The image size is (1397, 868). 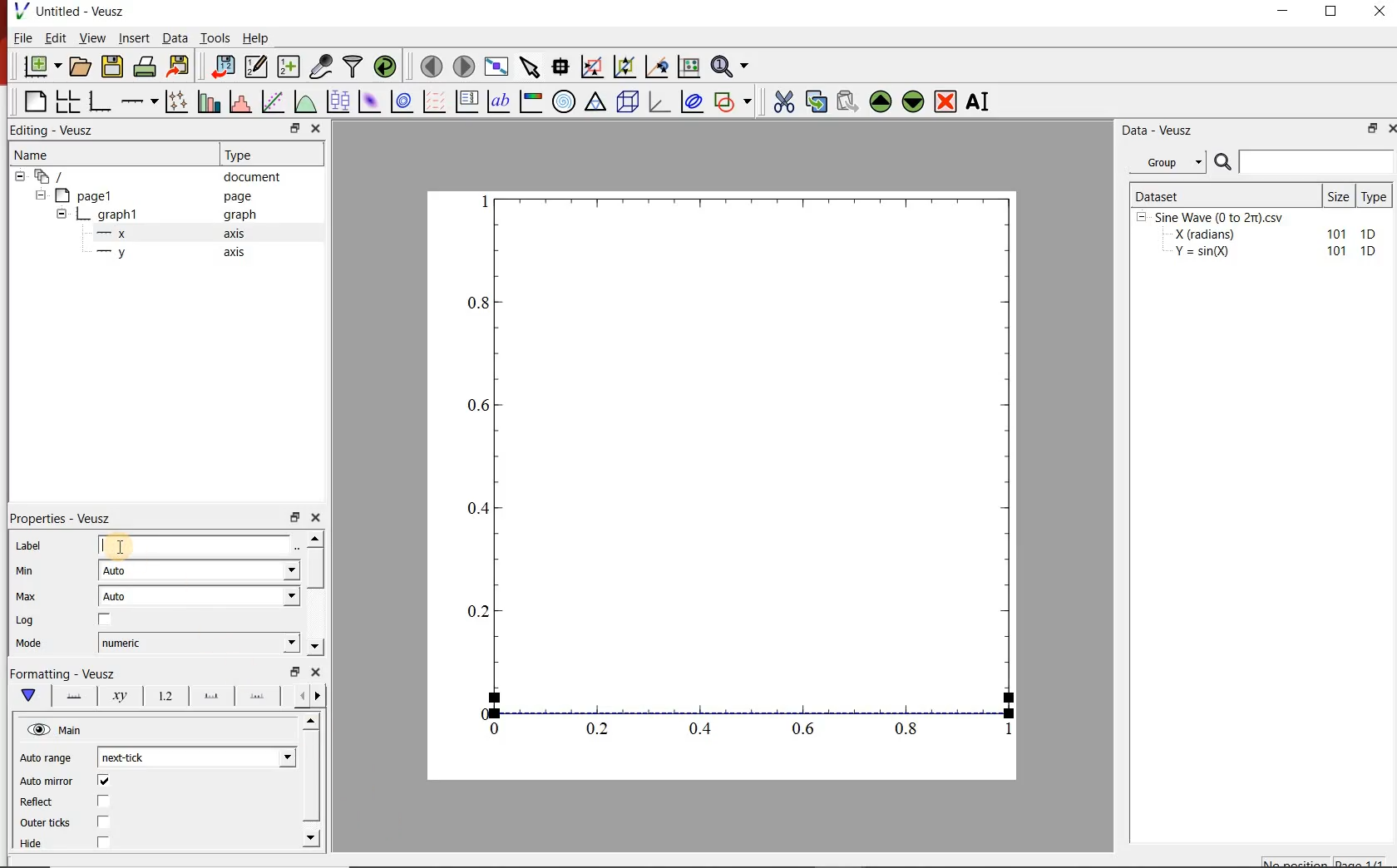 I want to click on View, so click(x=93, y=37).